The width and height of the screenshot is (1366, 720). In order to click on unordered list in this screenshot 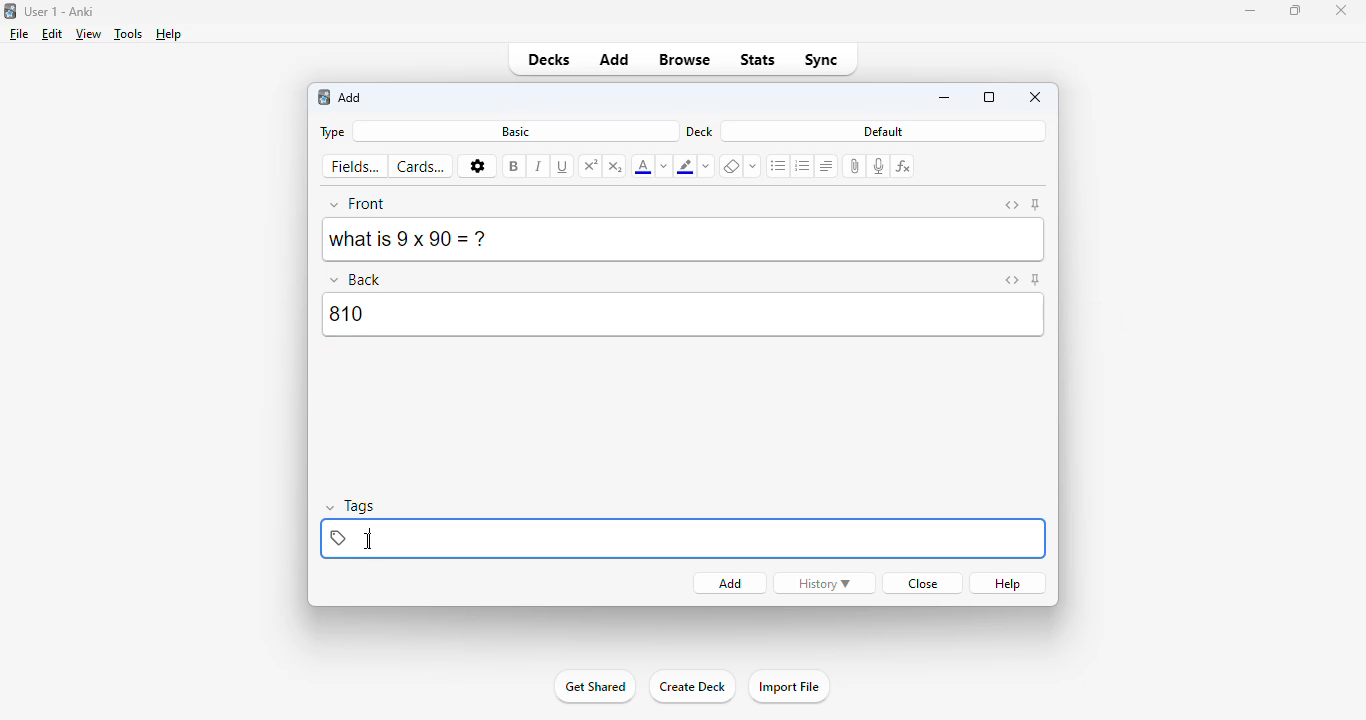, I will do `click(779, 167)`.